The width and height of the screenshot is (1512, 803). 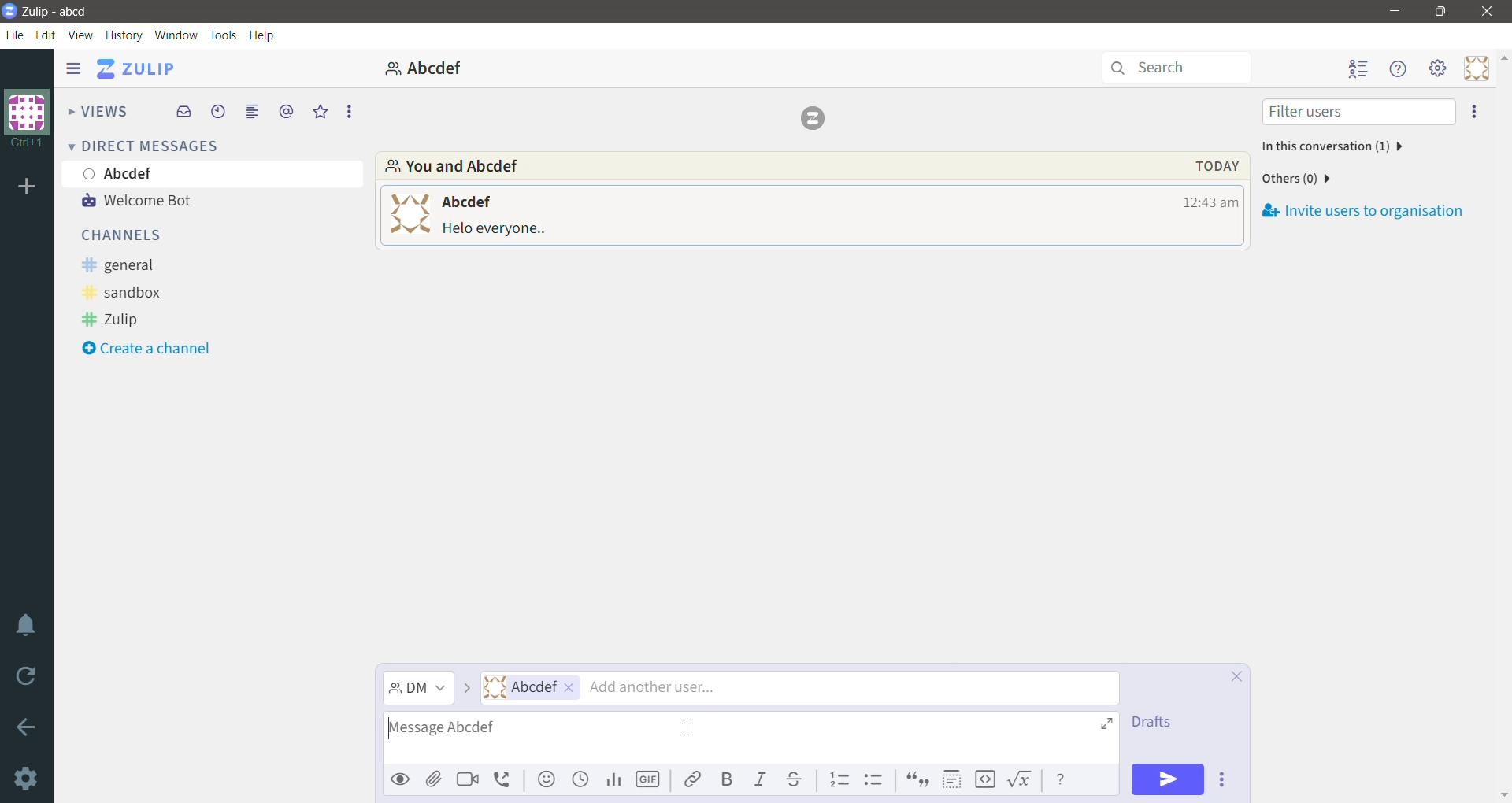 What do you see at coordinates (496, 230) in the screenshot?
I see `message` at bounding box center [496, 230].